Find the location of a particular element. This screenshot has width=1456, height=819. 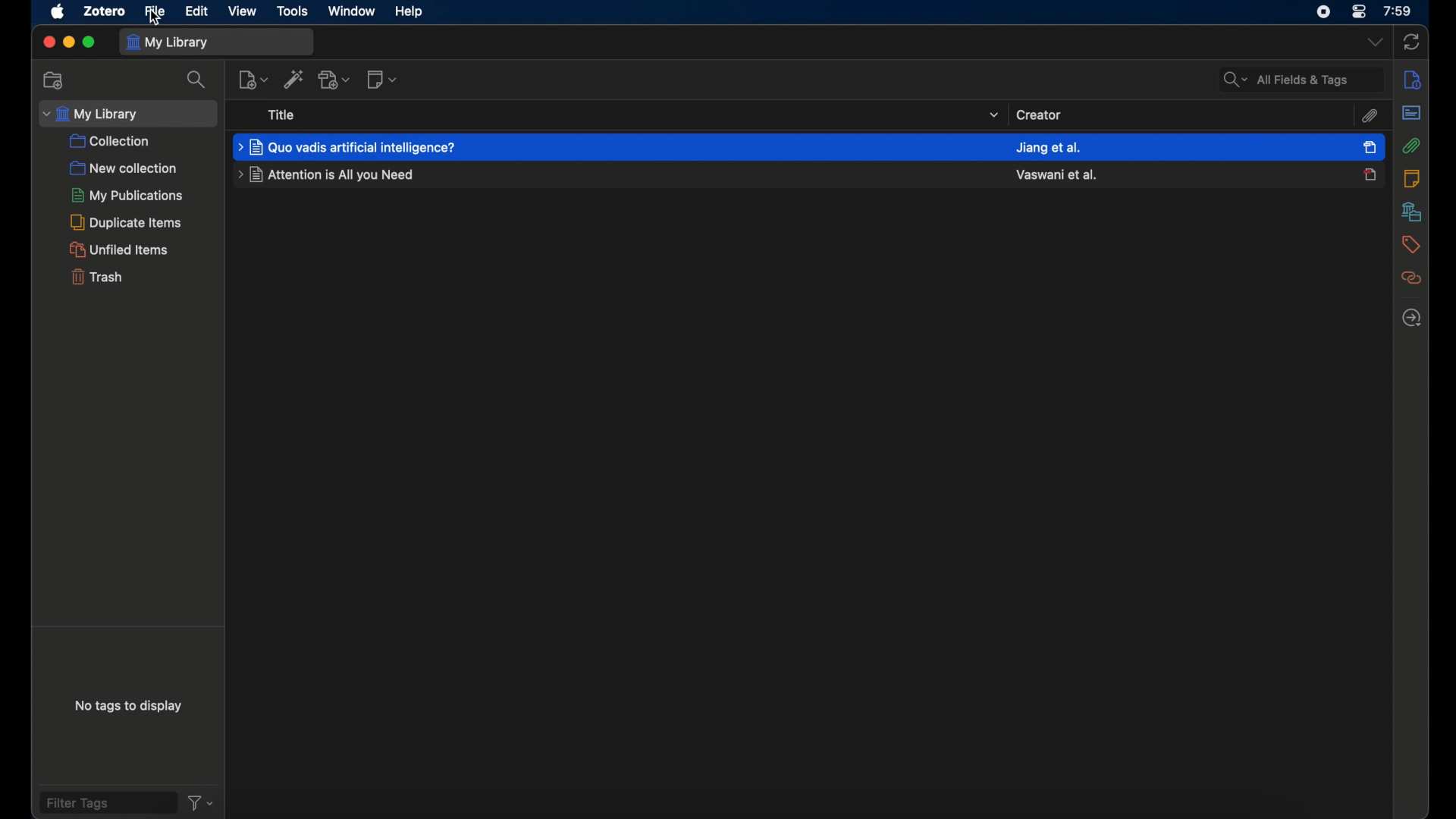

attachments is located at coordinates (1411, 146).